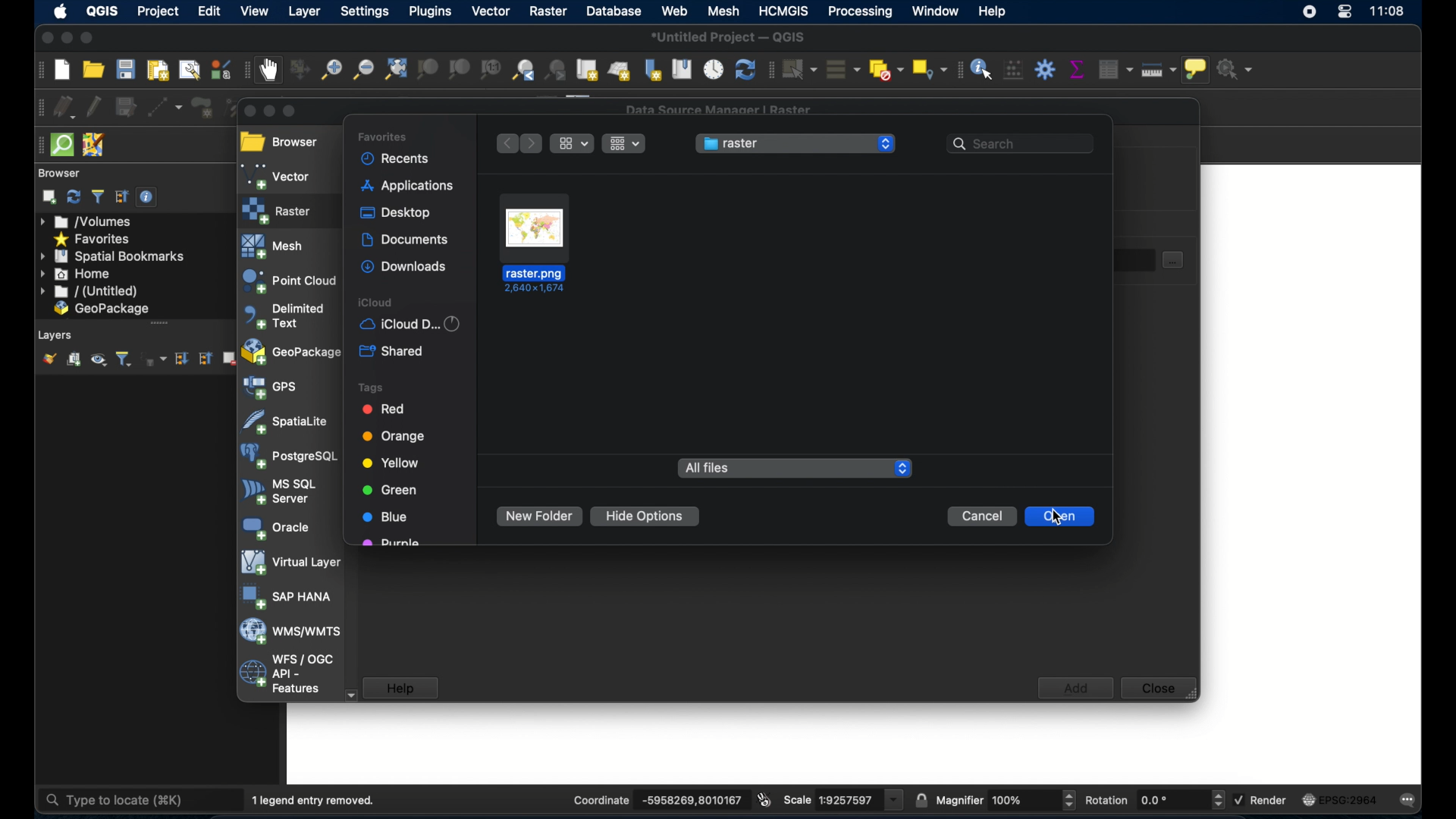 Image resolution: width=1456 pixels, height=819 pixels. I want to click on mesh, so click(722, 12).